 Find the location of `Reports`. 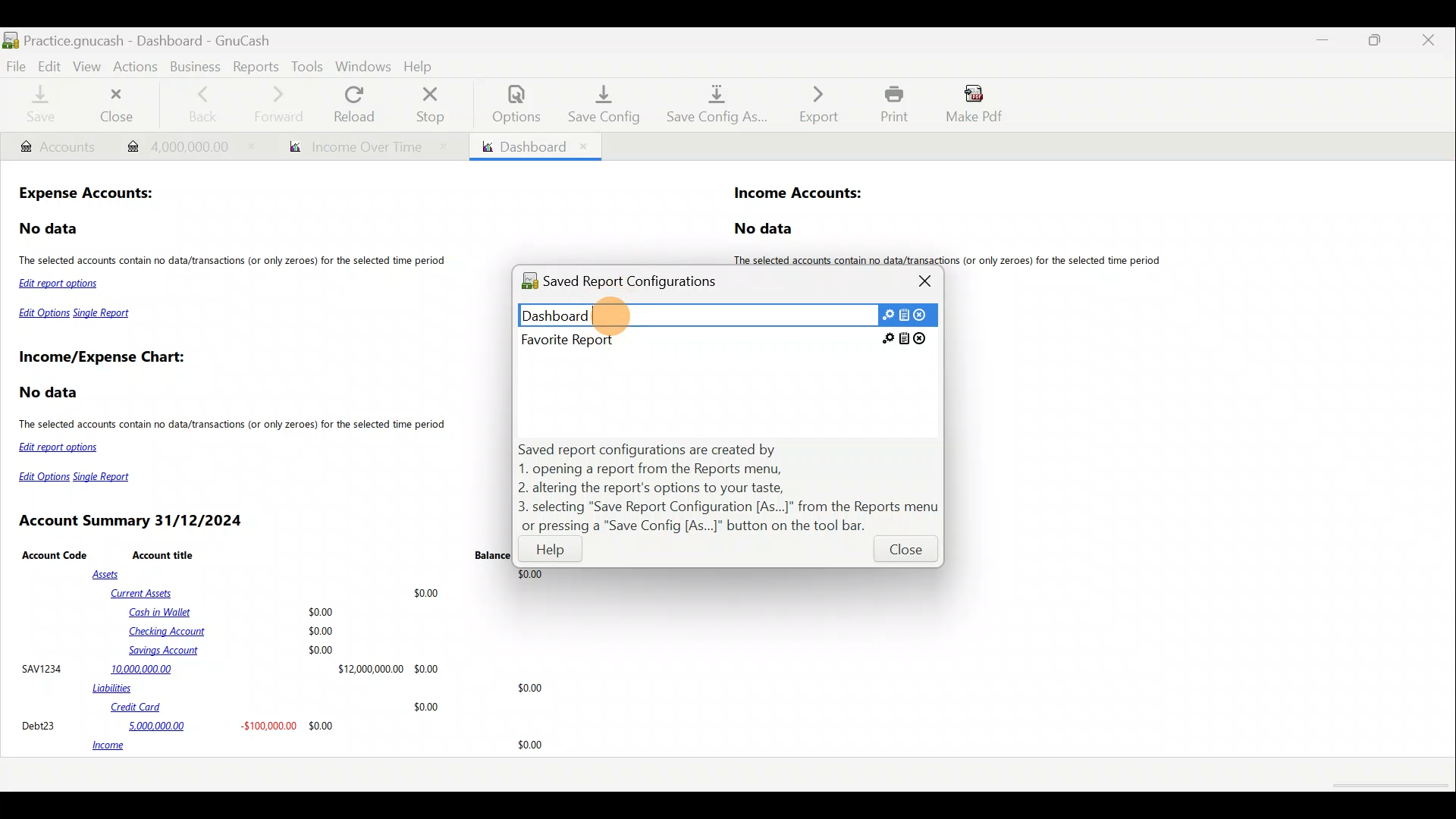

Reports is located at coordinates (254, 65).